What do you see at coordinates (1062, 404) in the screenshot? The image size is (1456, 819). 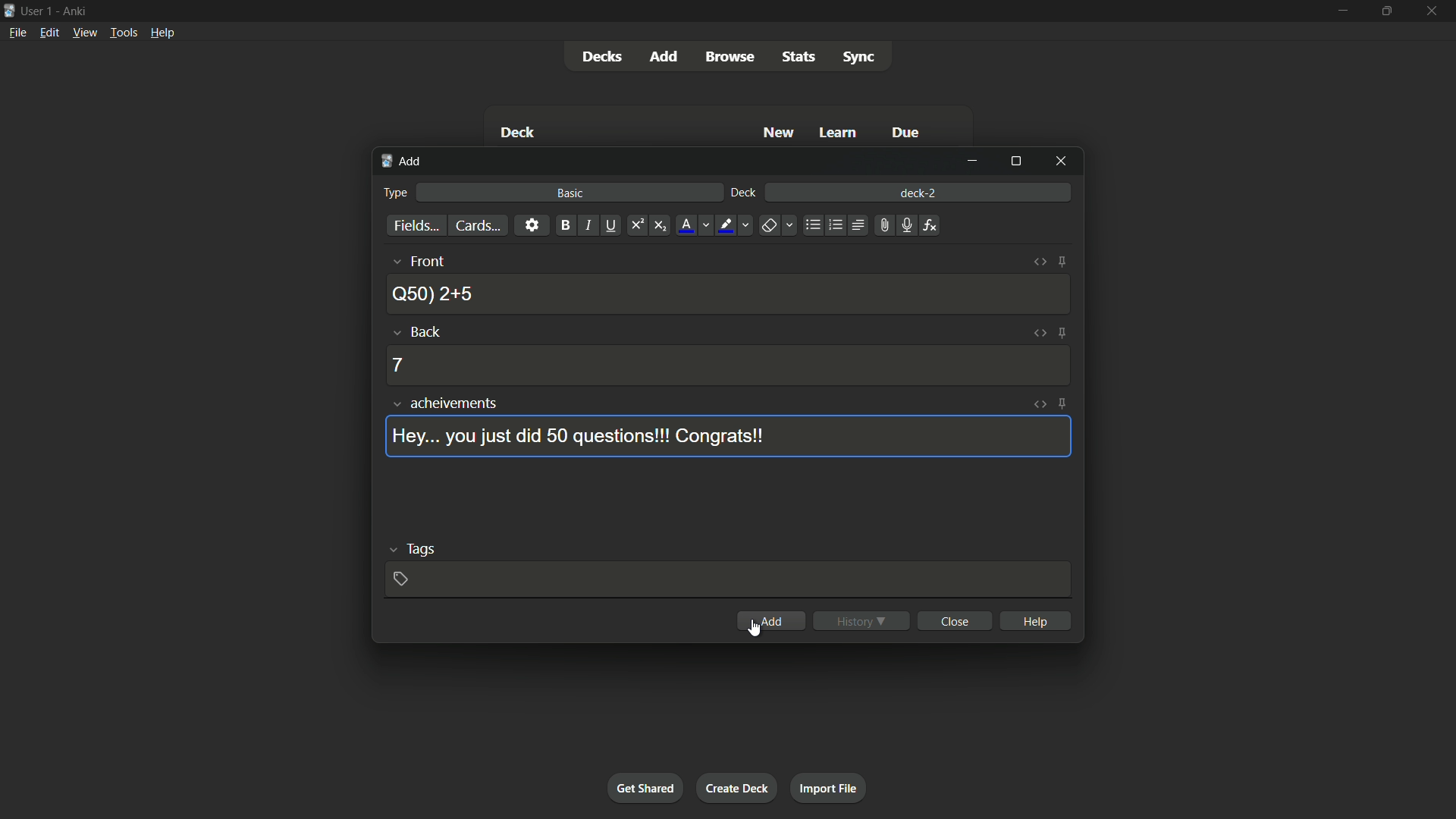 I see `toggle sticky` at bounding box center [1062, 404].